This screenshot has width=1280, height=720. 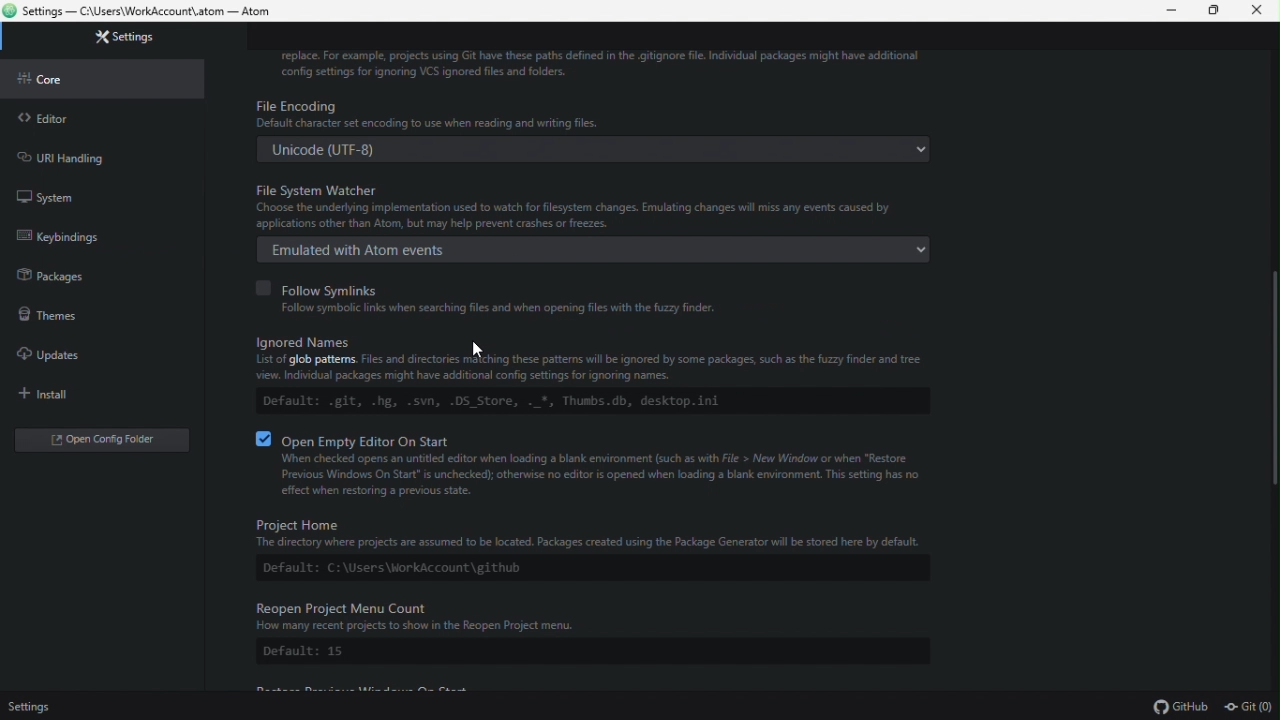 I want to click on Packages, so click(x=94, y=277).